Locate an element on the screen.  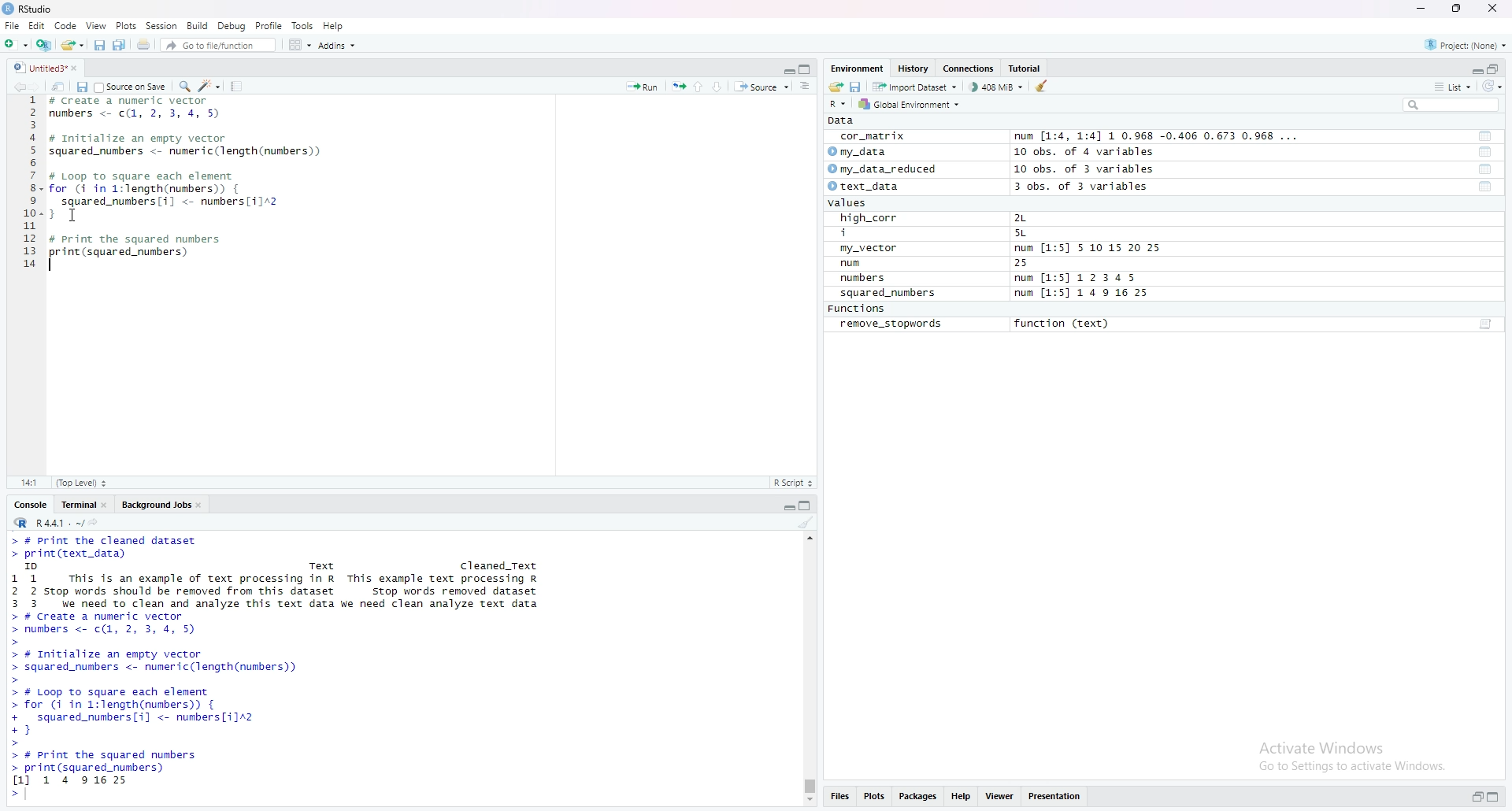
num [1:5] S 10 15 20 25 is located at coordinates (1088, 249).